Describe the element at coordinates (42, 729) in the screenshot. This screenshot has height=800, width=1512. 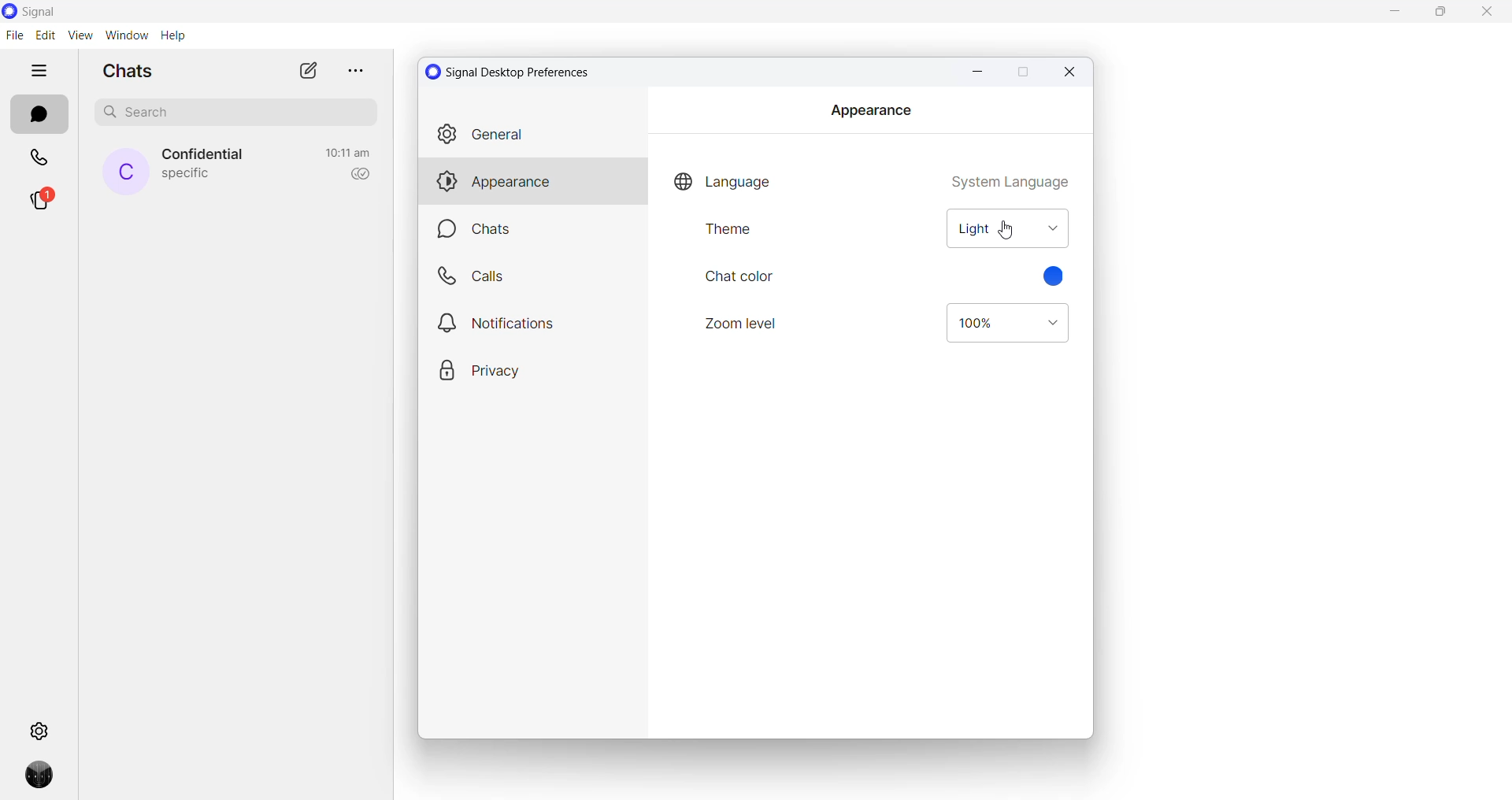
I see `settings` at that location.